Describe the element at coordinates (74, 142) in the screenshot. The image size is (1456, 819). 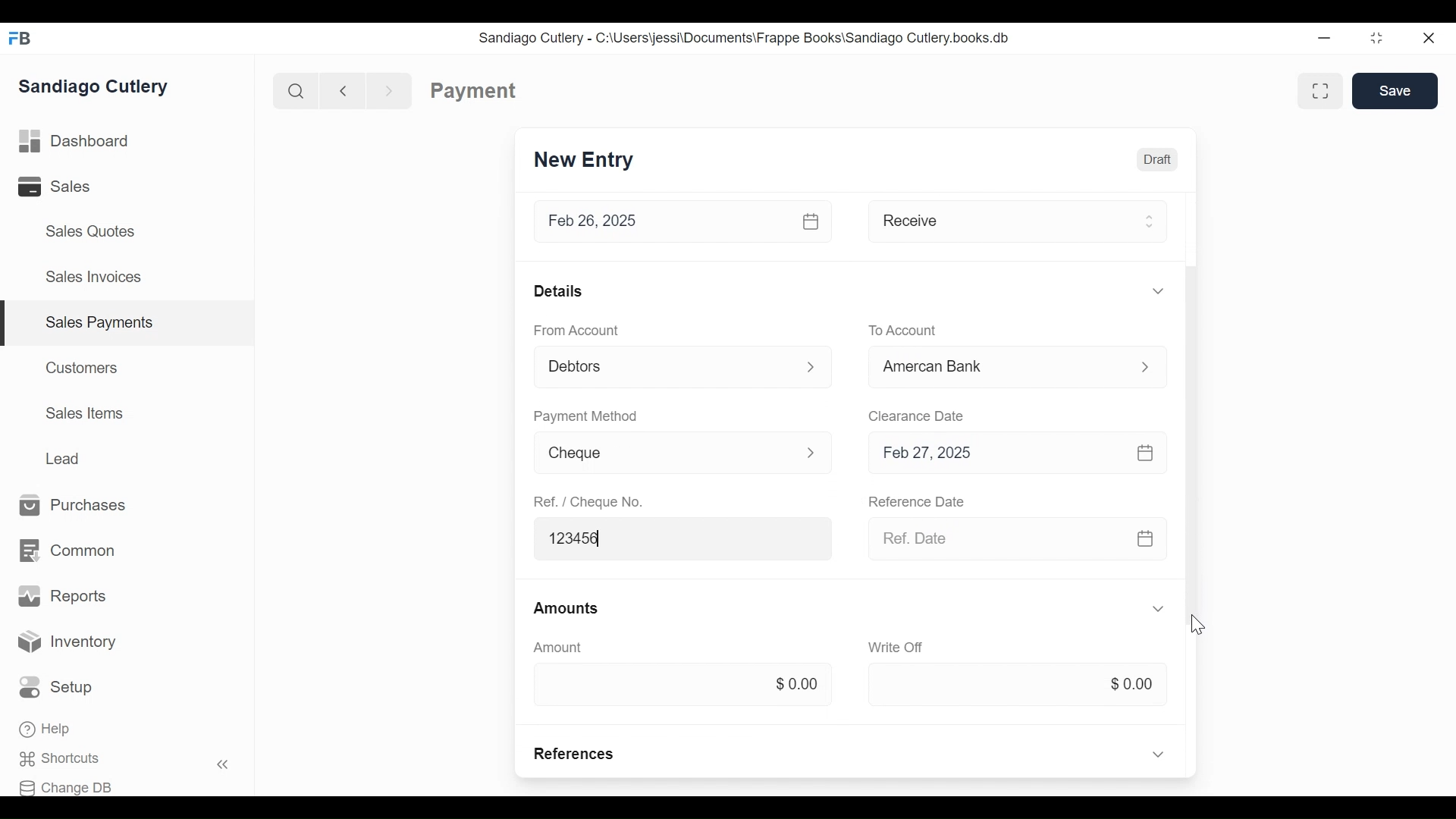
I see `Dashboard` at that location.